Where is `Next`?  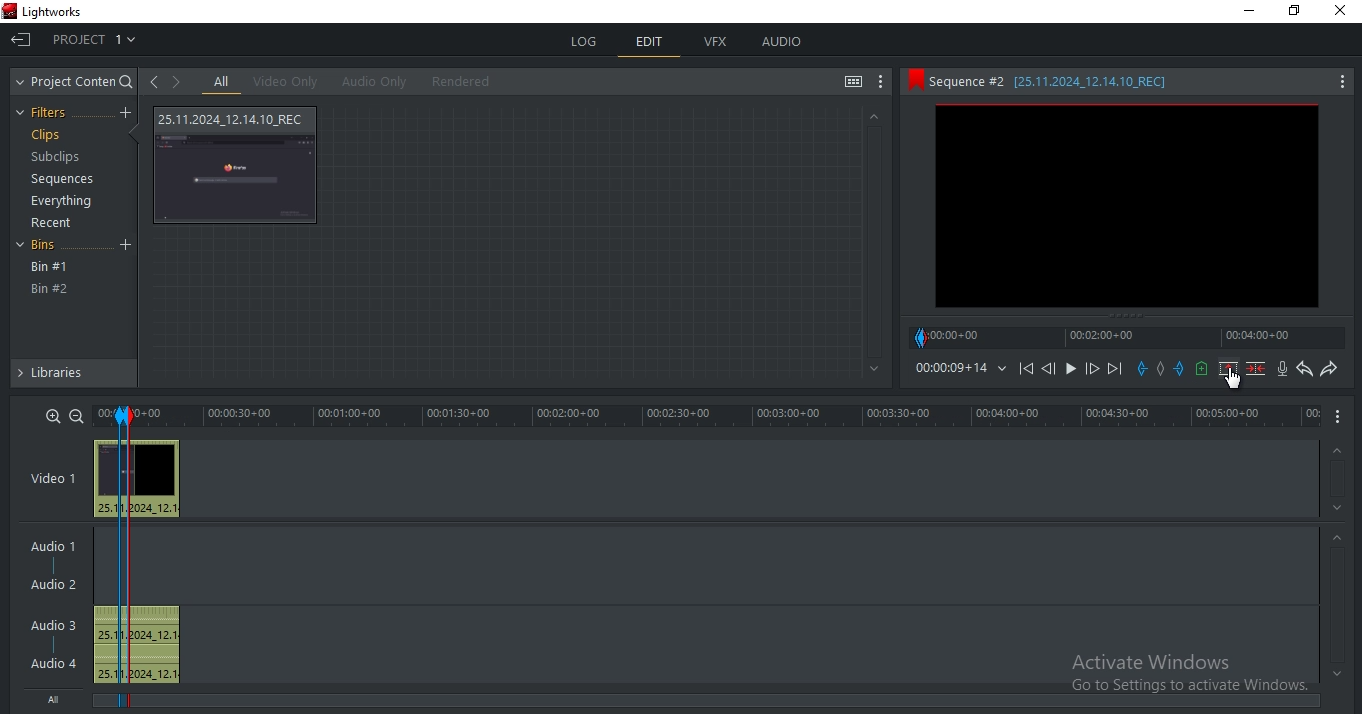 Next is located at coordinates (1117, 368).